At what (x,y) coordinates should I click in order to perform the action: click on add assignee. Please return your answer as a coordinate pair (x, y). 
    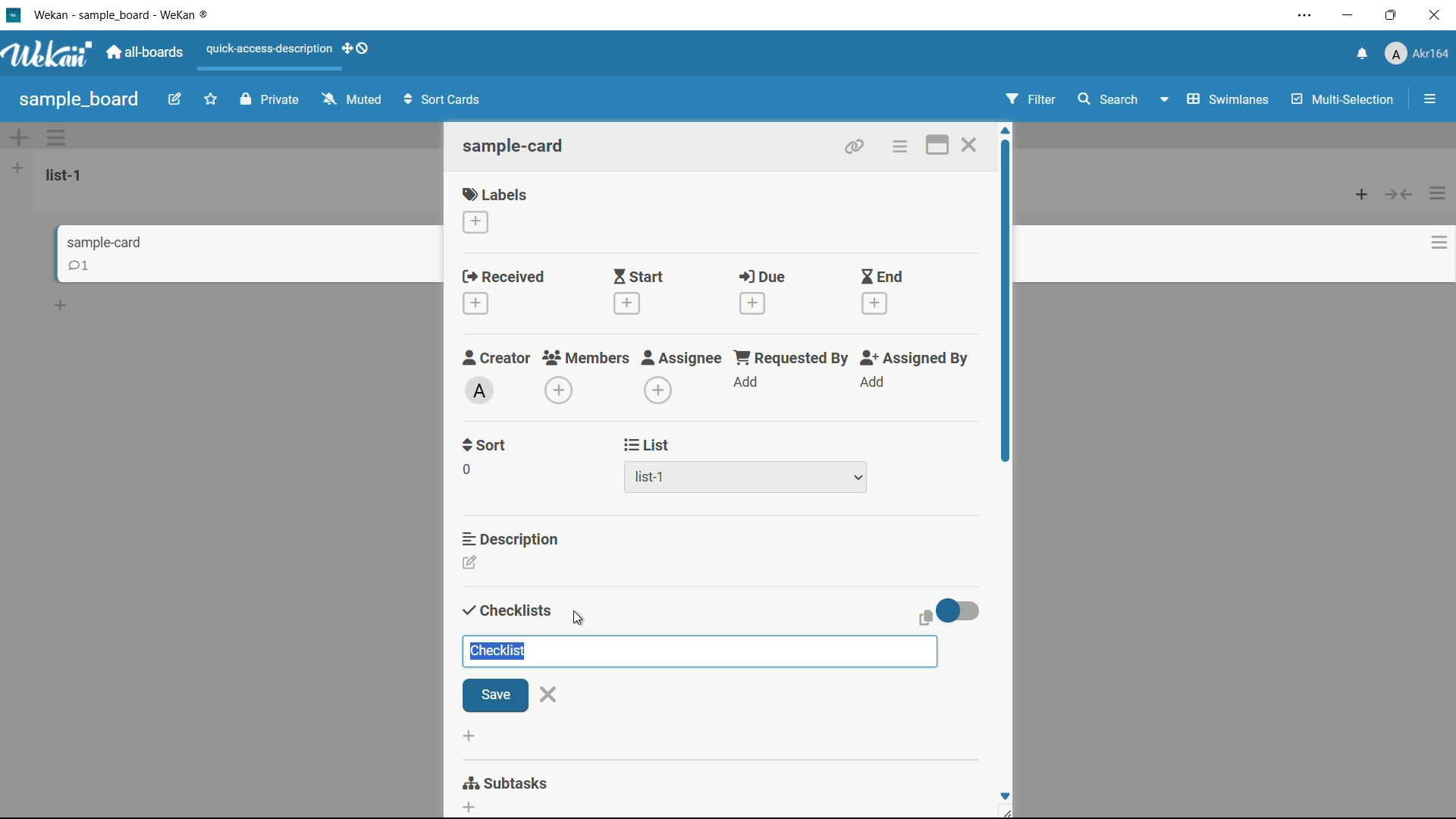
    Looking at the image, I should click on (659, 391).